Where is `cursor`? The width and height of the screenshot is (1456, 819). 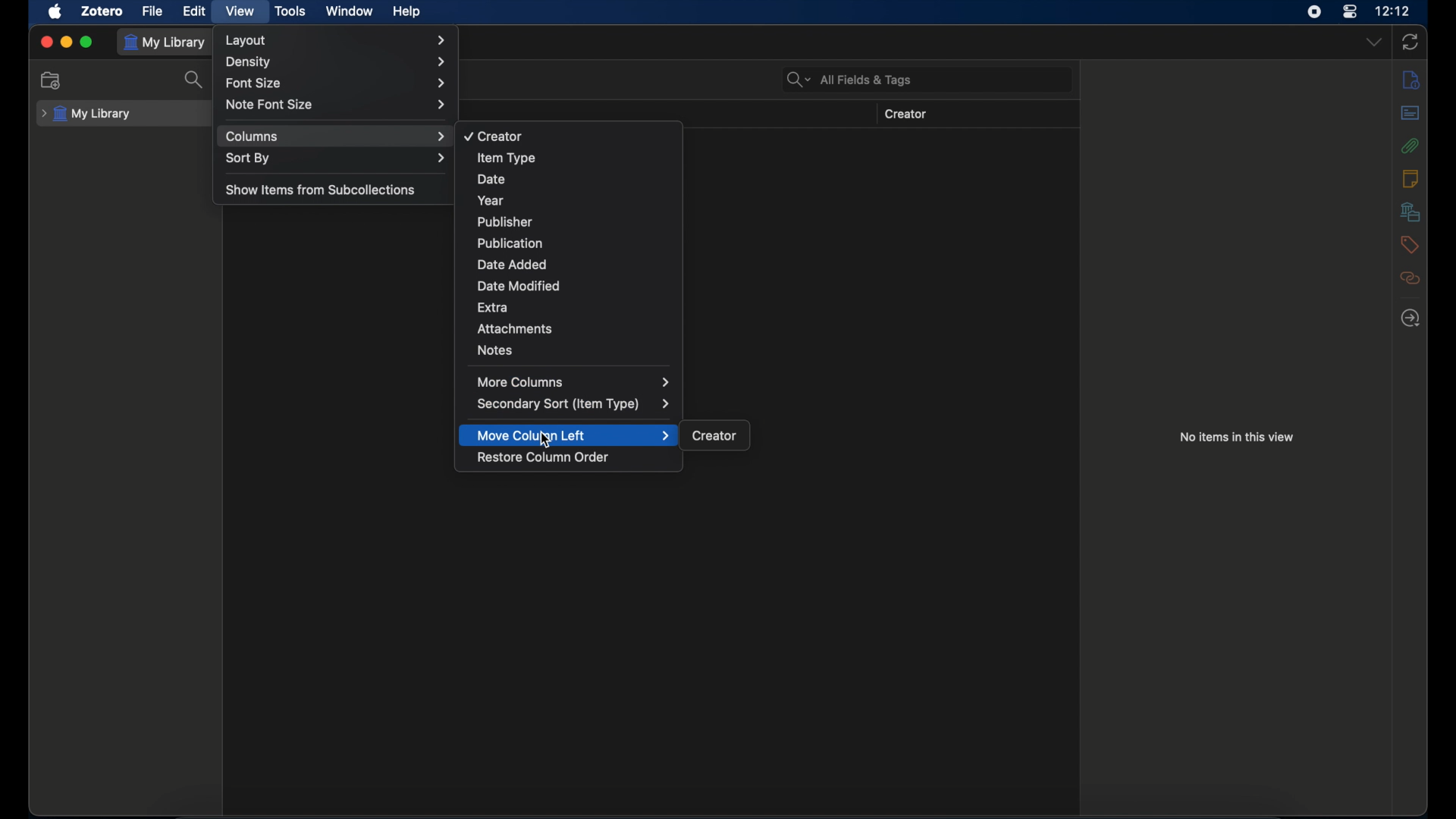
cursor is located at coordinates (546, 441).